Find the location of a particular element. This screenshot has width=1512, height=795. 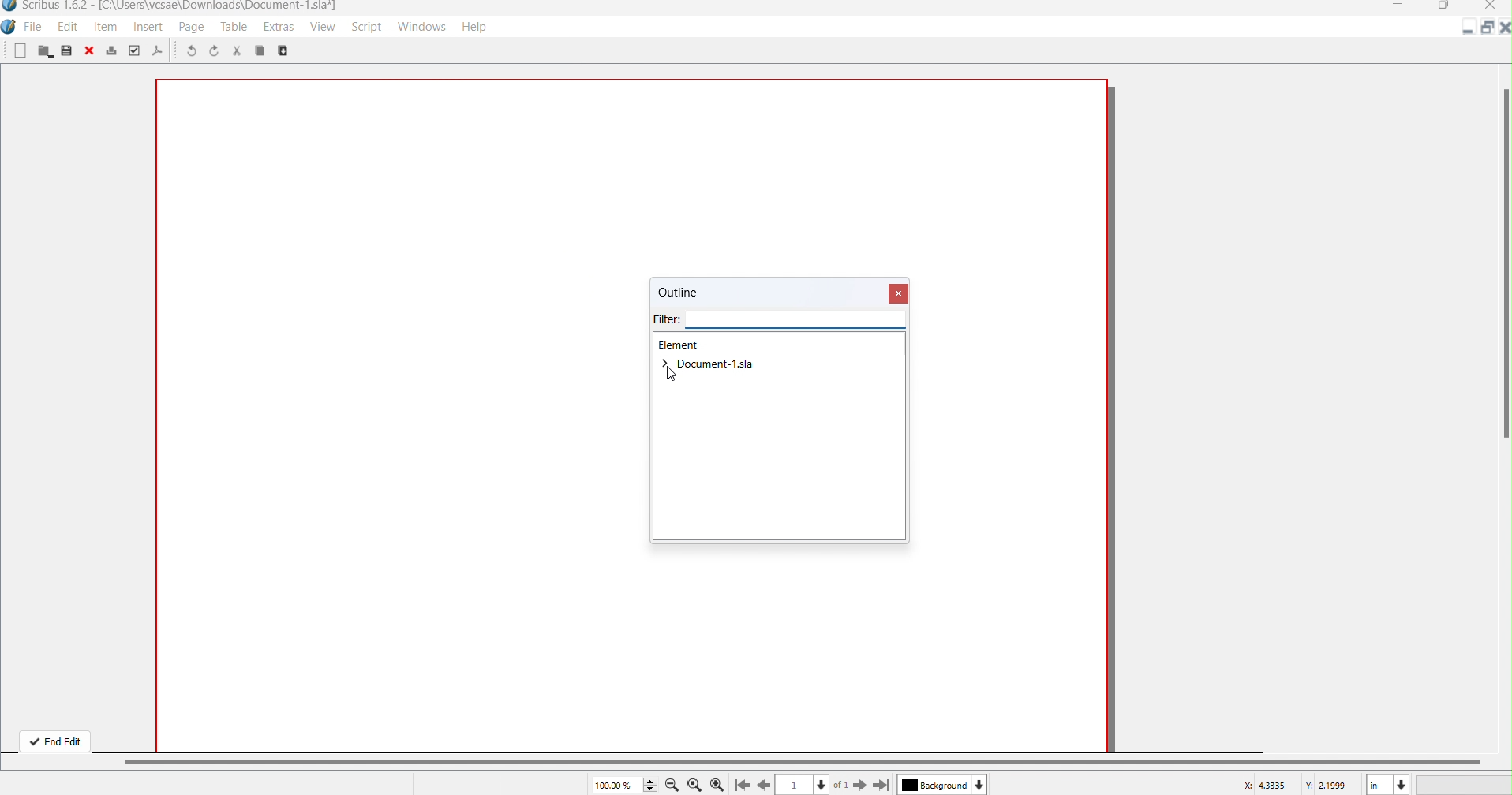

vertical scroll bar is located at coordinates (815, 760).